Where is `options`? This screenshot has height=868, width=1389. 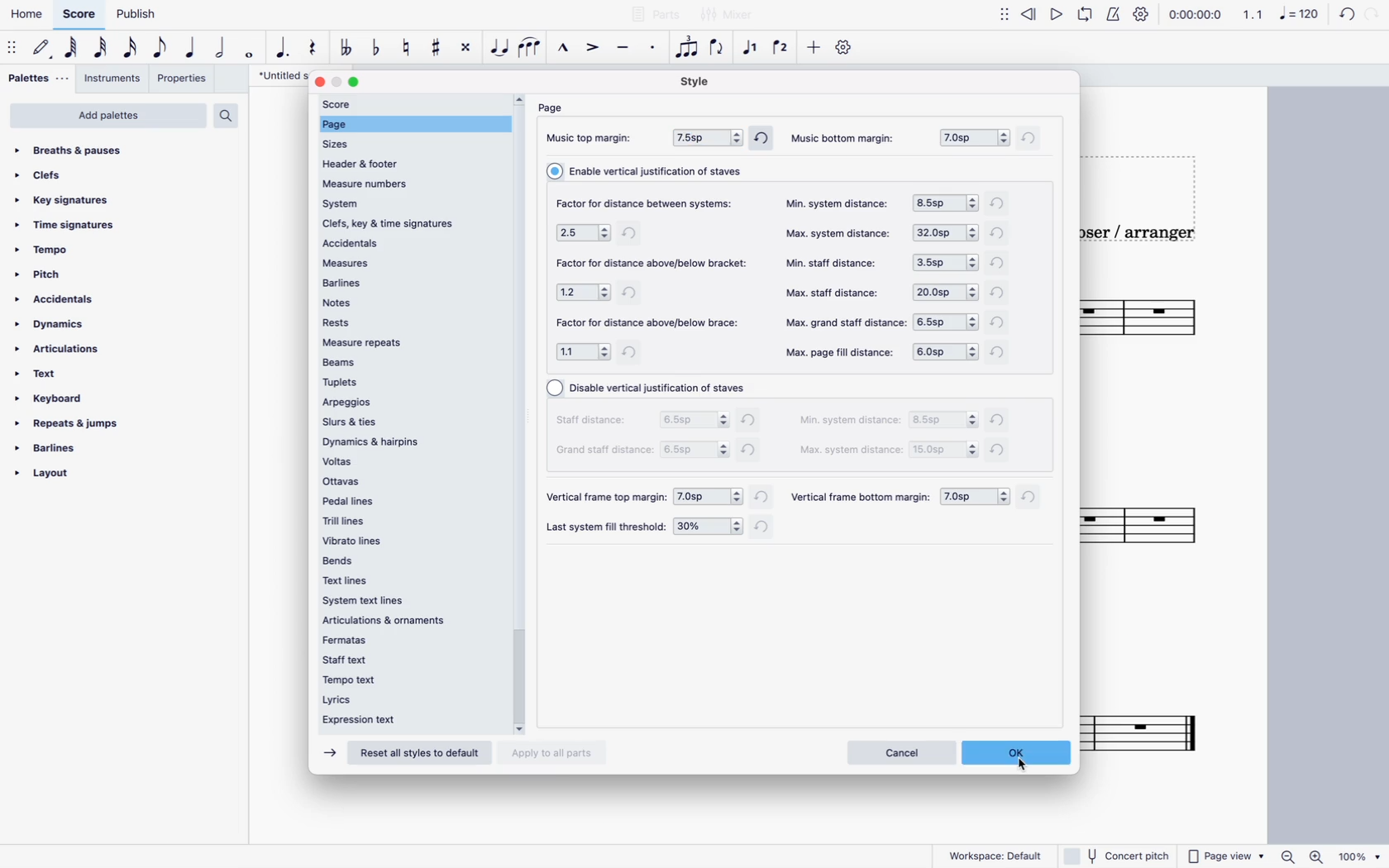
options is located at coordinates (708, 497).